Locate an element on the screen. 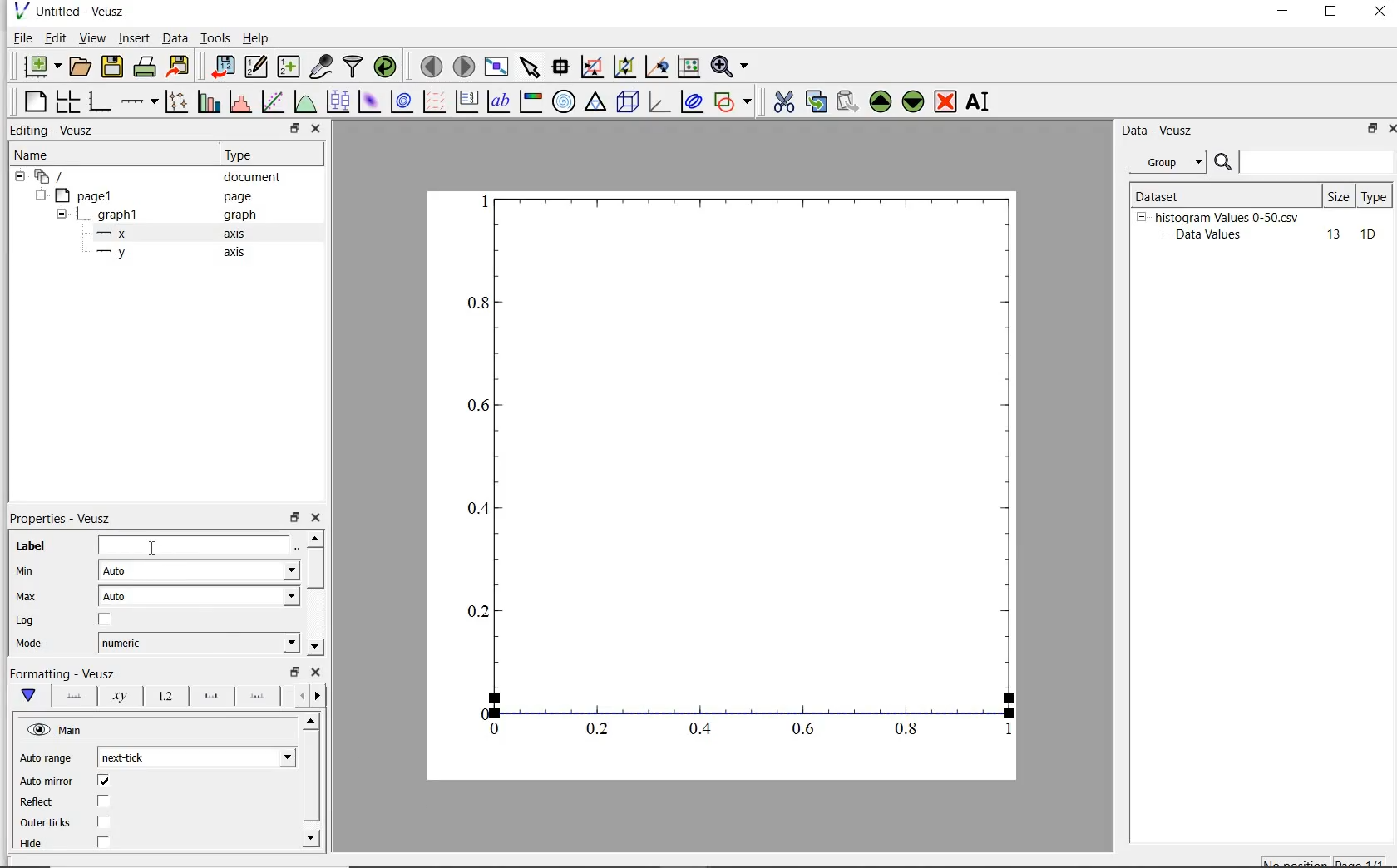 This screenshot has width=1397, height=868.  Reflect is located at coordinates (39, 802).